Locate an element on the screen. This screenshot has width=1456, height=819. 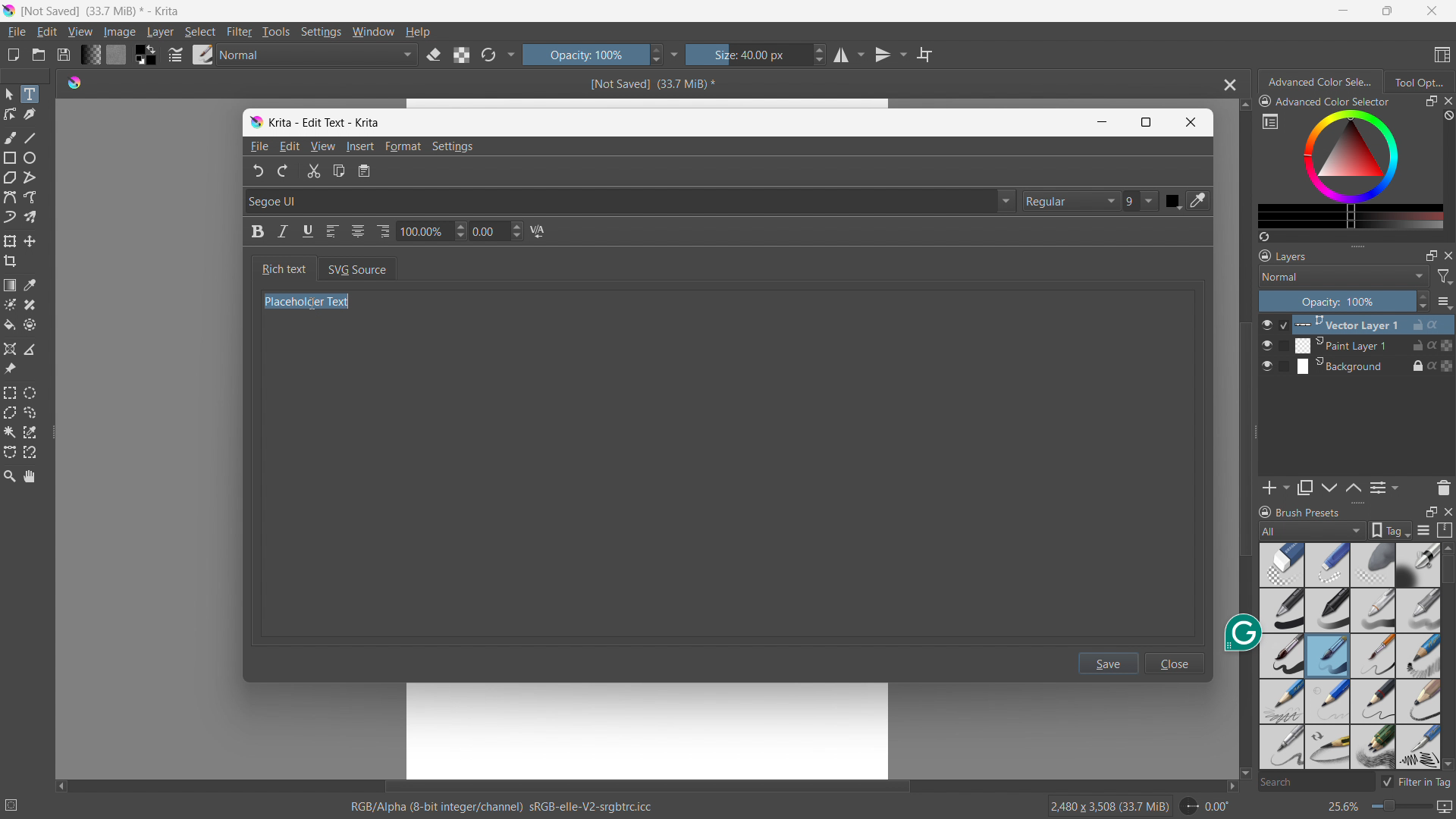
filter is located at coordinates (240, 32).